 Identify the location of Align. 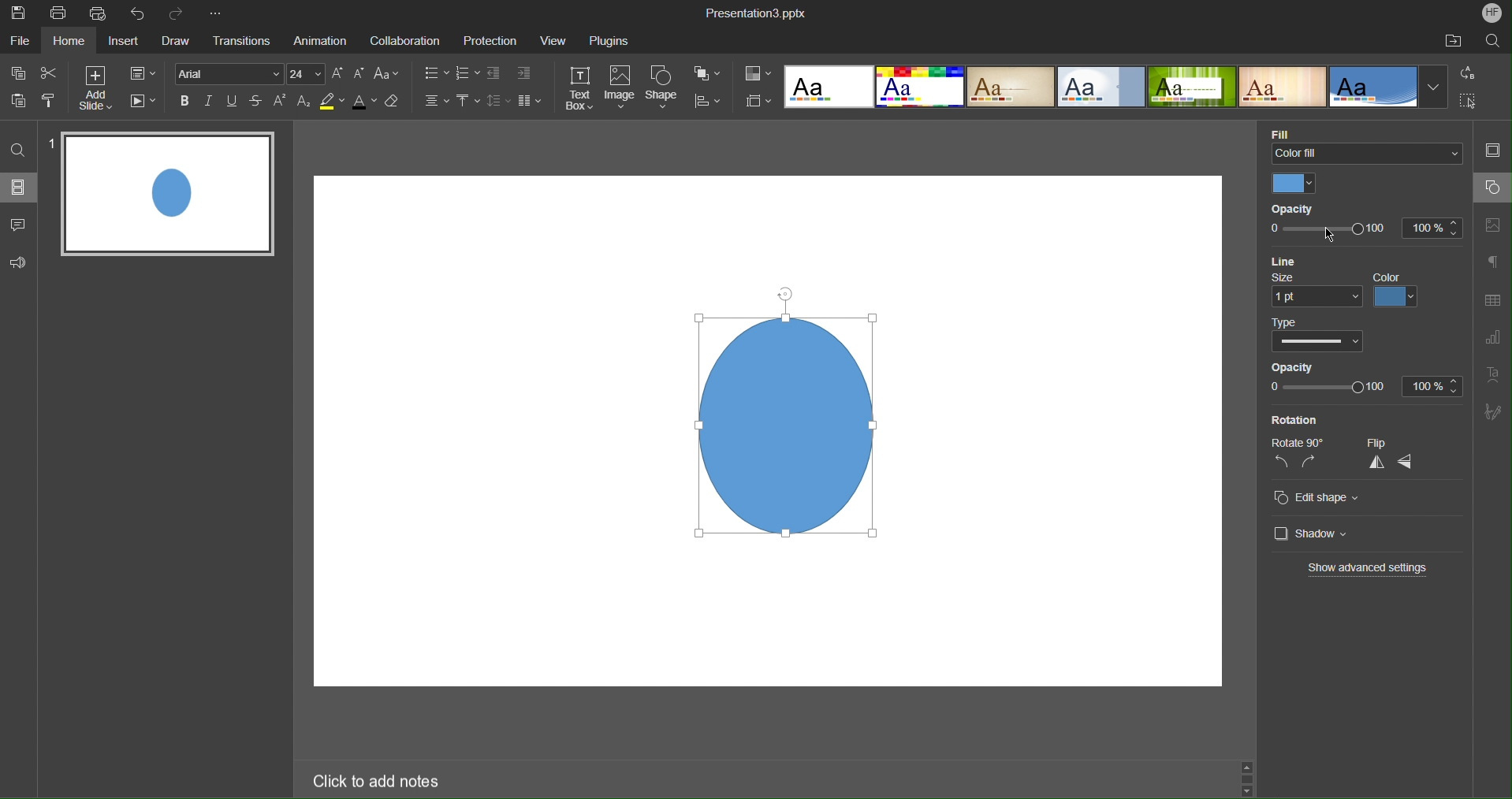
(713, 102).